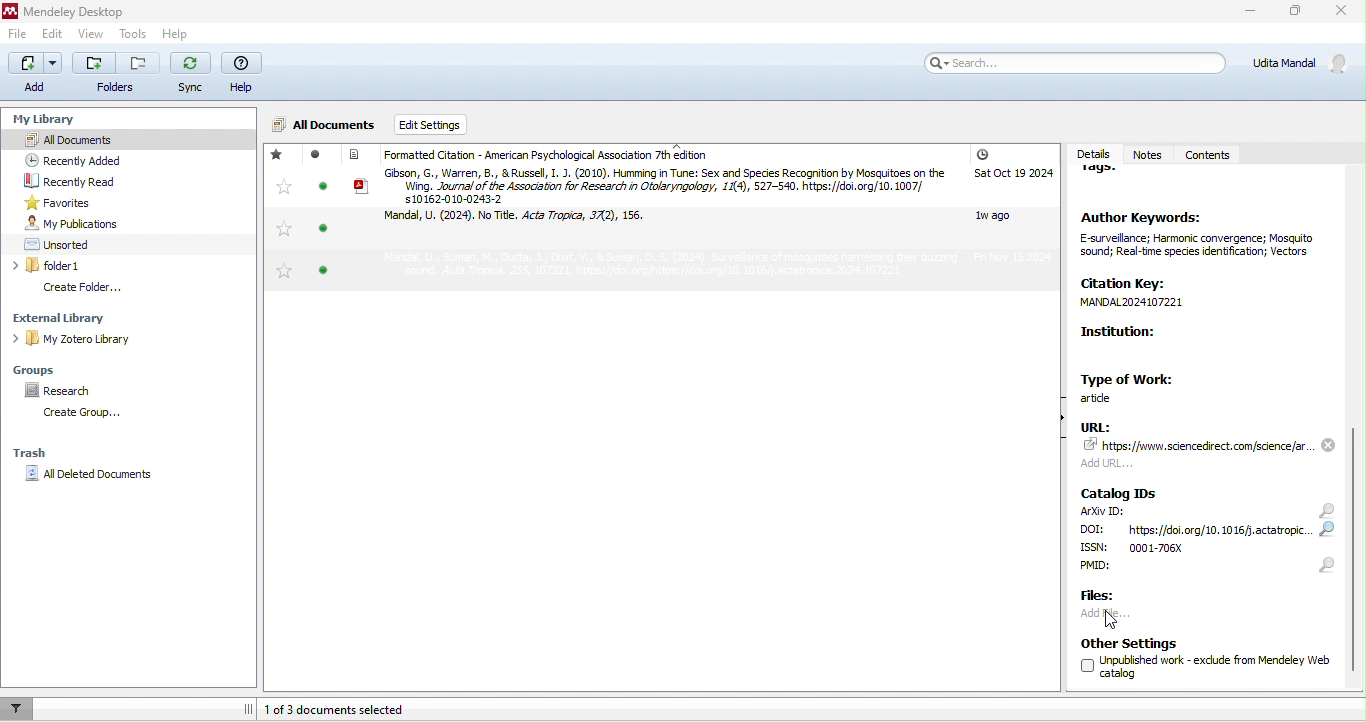 The image size is (1366, 722). What do you see at coordinates (99, 287) in the screenshot?
I see `create folder` at bounding box center [99, 287].